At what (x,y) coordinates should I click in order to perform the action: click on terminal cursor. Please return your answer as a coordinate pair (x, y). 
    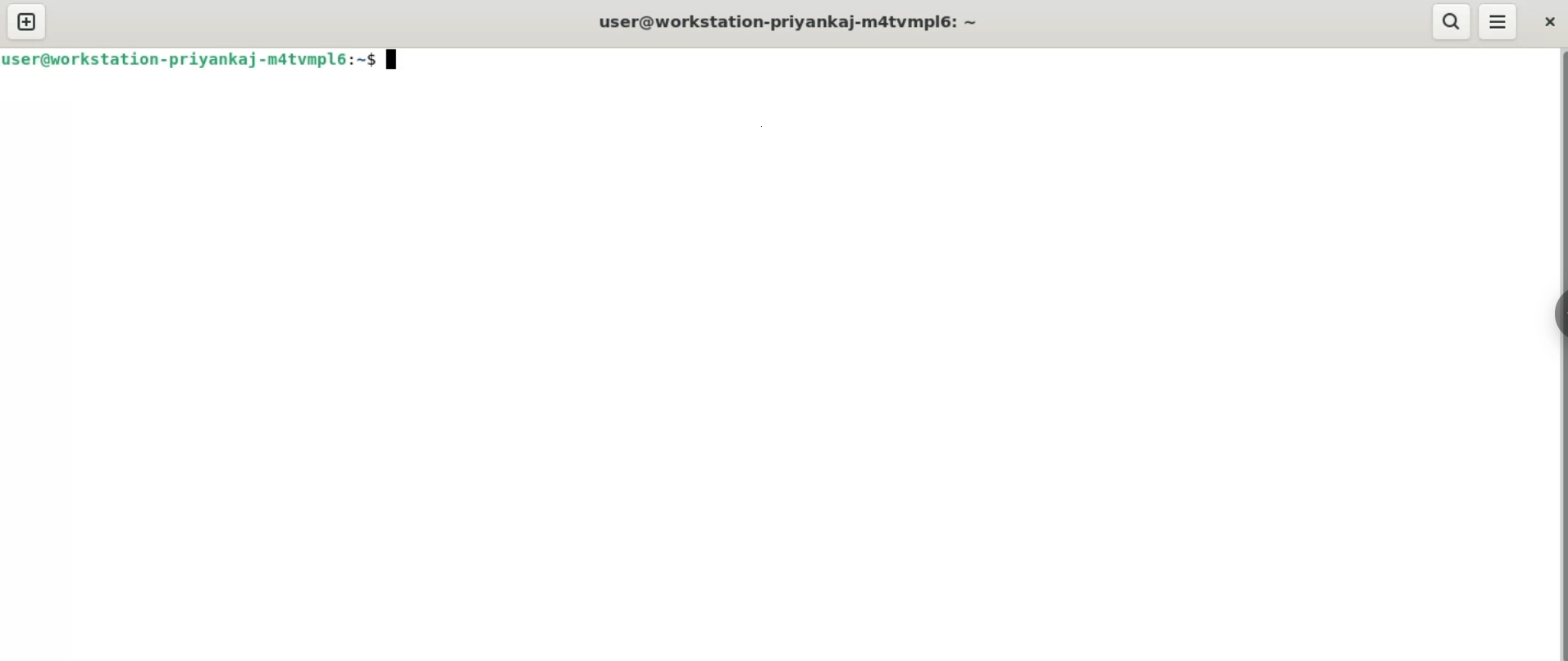
    Looking at the image, I should click on (394, 58).